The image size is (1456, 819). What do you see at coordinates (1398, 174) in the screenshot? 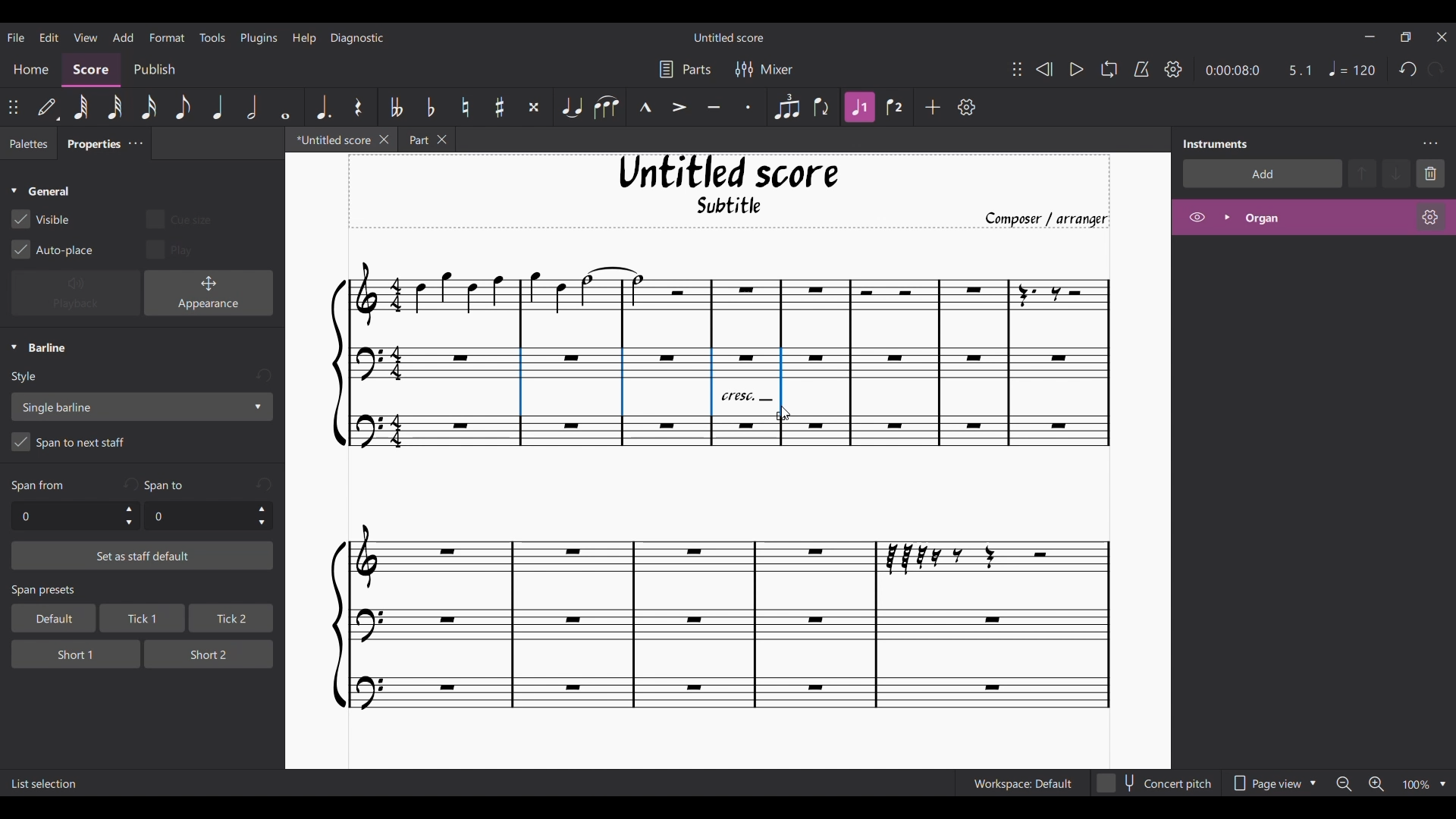
I see `Move selection down` at bounding box center [1398, 174].